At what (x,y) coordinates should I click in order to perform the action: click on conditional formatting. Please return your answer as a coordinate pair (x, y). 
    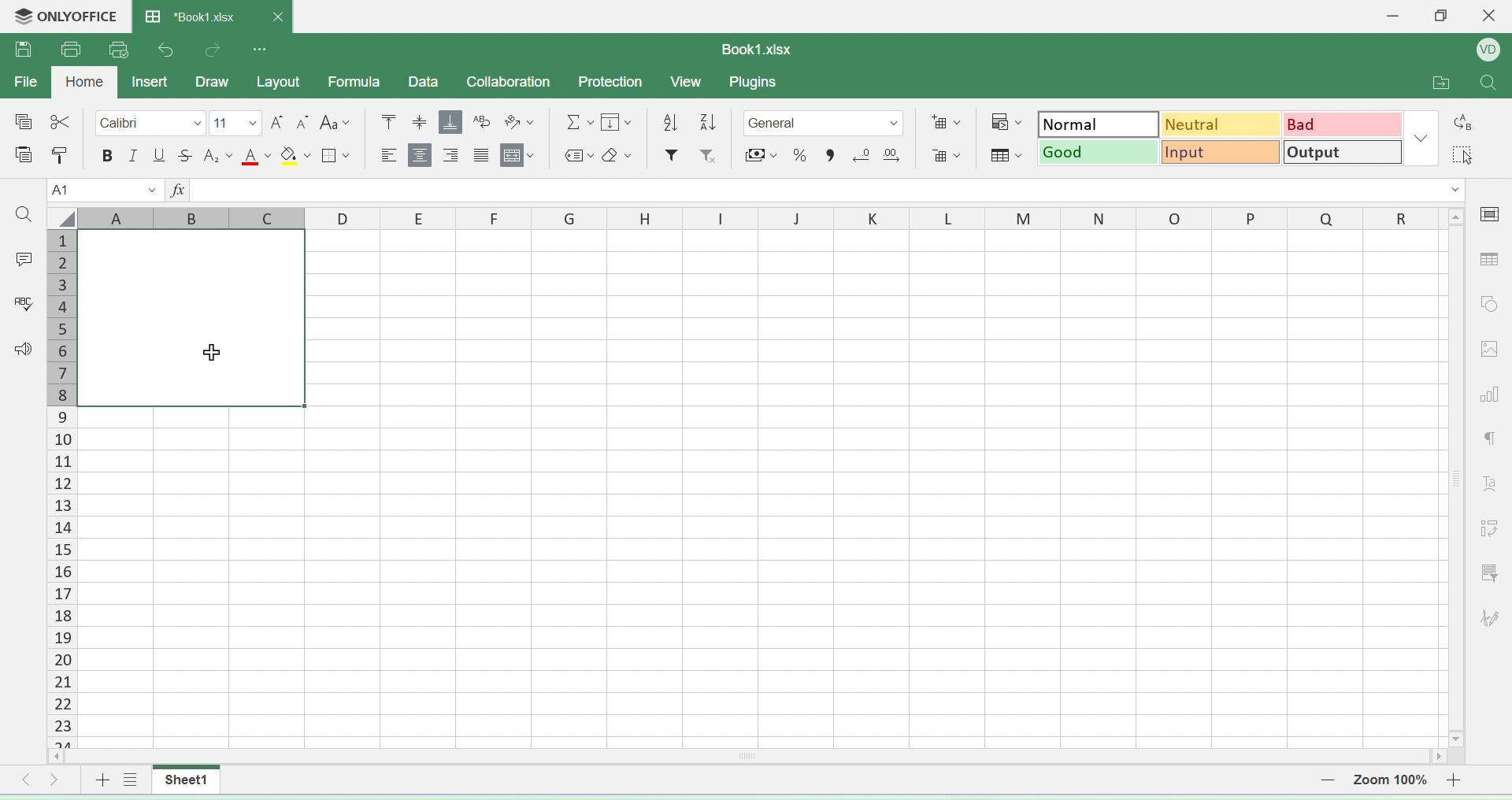
    Looking at the image, I should click on (1004, 119).